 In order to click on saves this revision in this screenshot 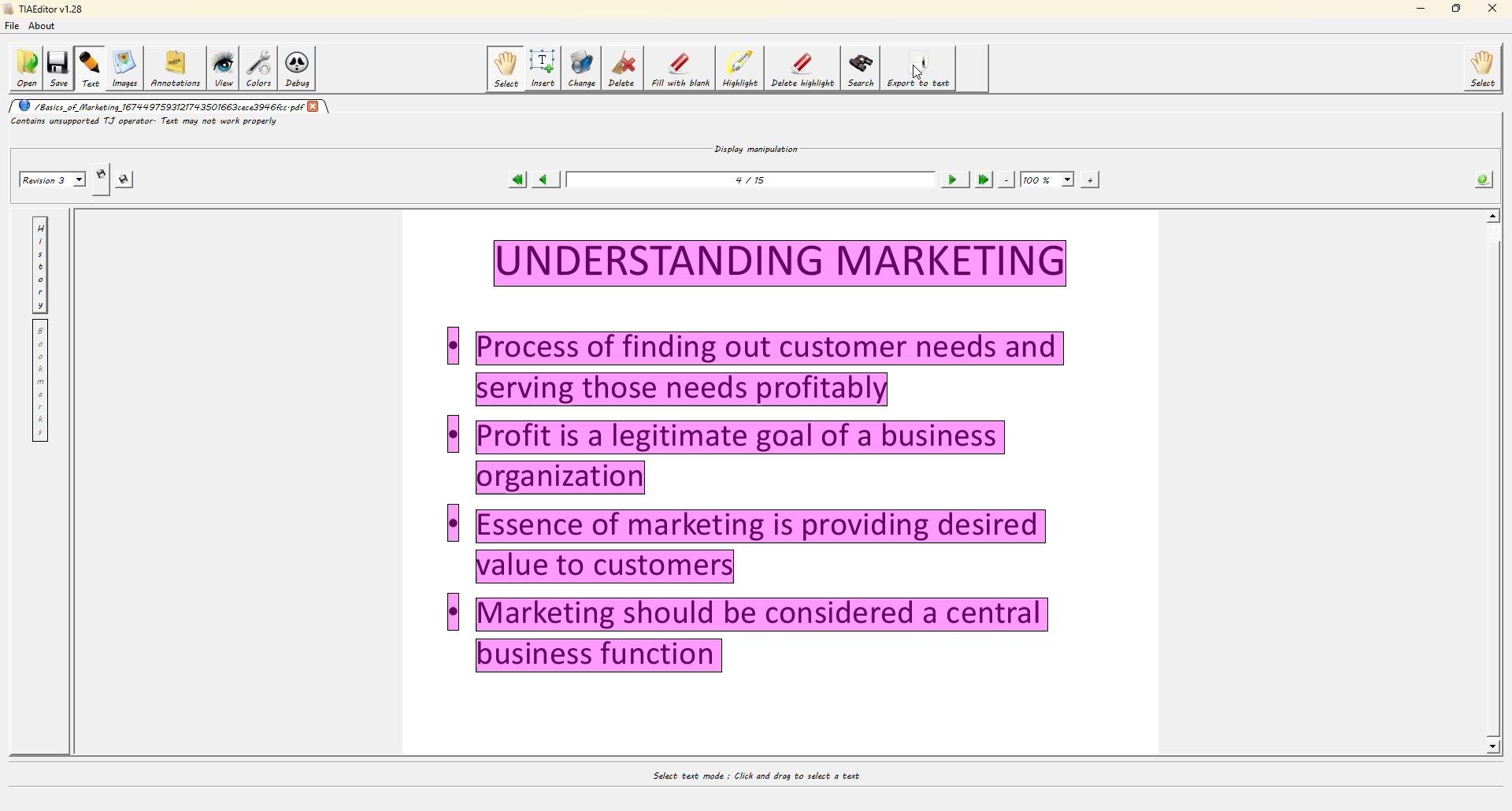, I will do `click(124, 179)`.